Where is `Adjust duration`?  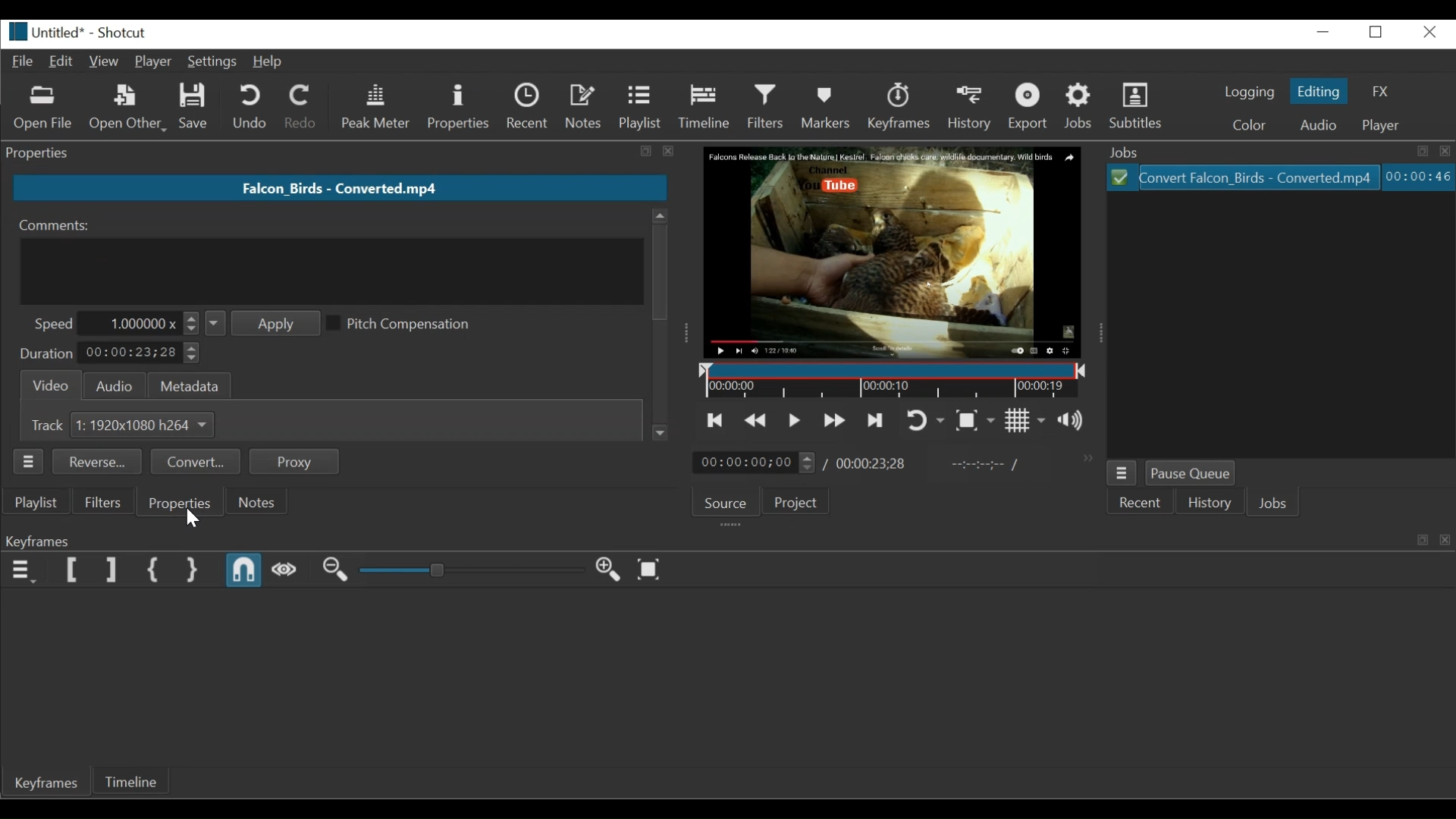
Adjust duration is located at coordinates (140, 355).